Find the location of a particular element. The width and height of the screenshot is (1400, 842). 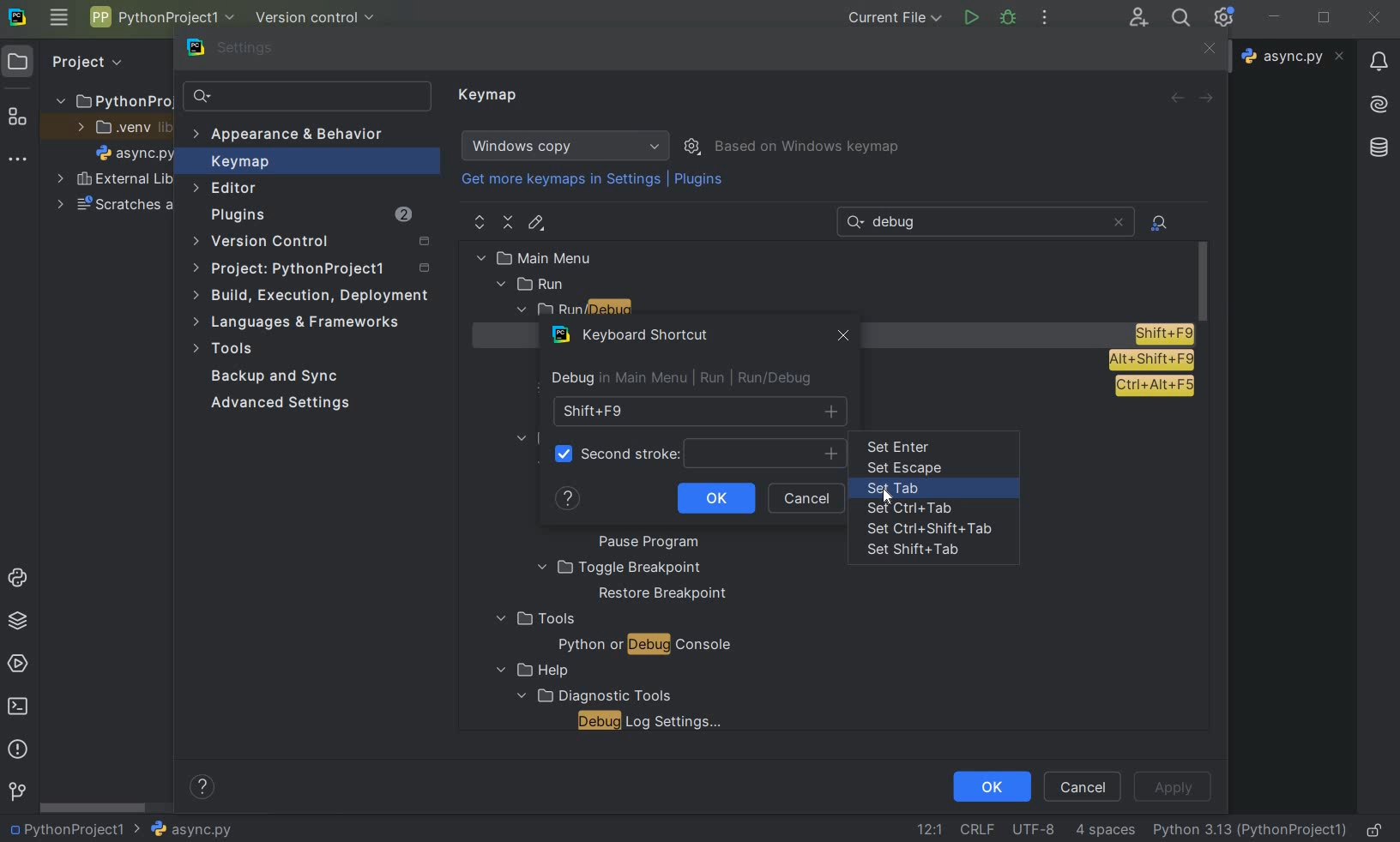

close is located at coordinates (1118, 222).